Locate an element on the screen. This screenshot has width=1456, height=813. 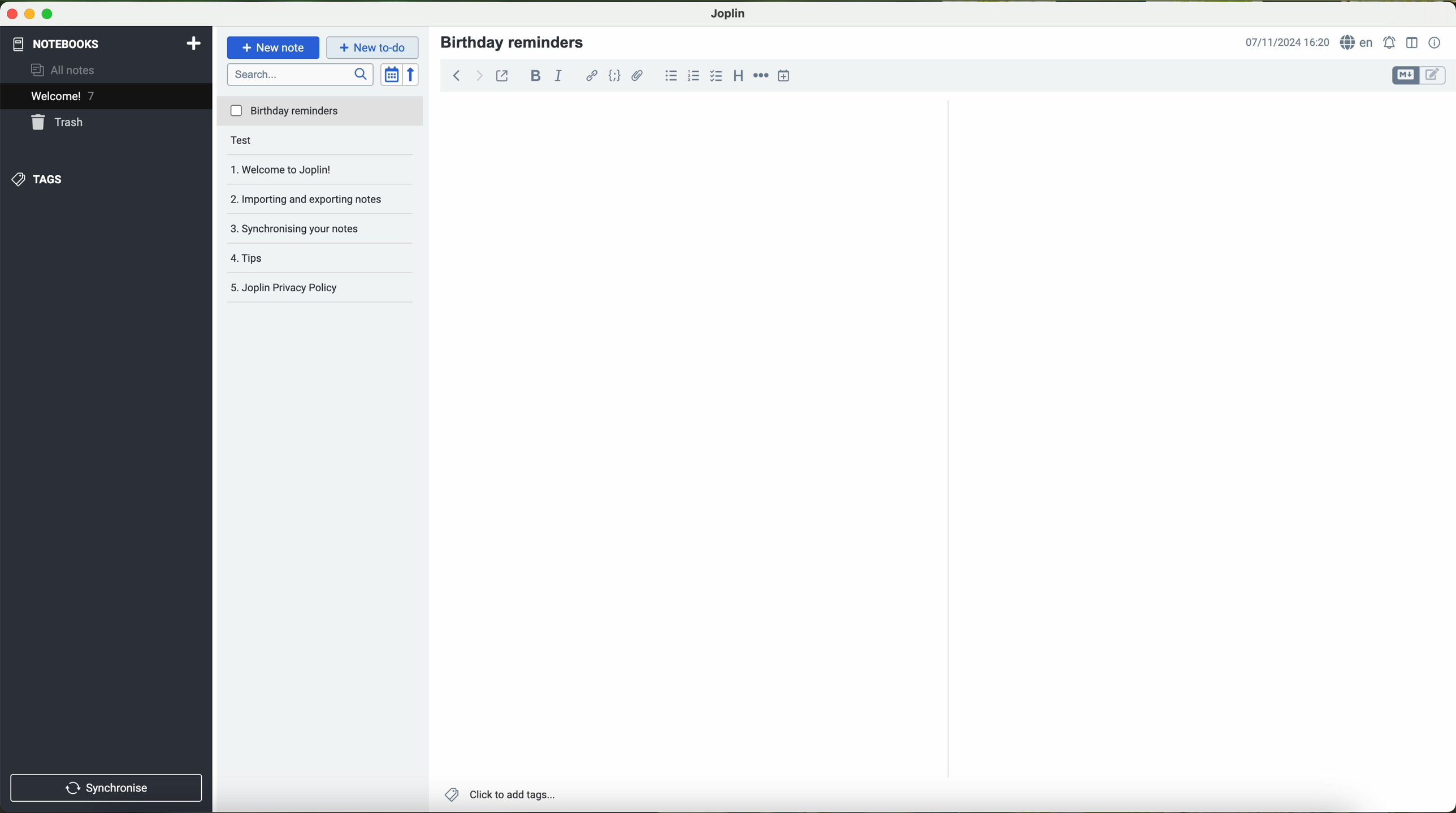
insert time is located at coordinates (782, 76).